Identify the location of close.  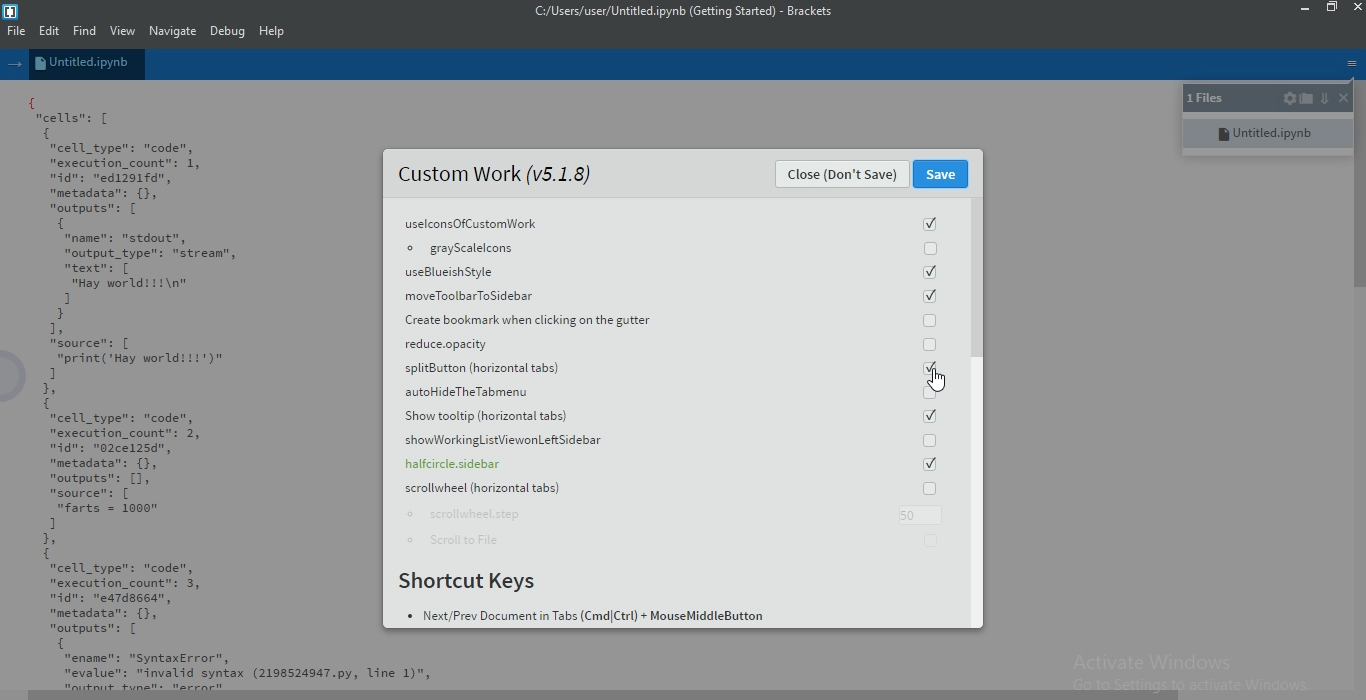
(1342, 98).